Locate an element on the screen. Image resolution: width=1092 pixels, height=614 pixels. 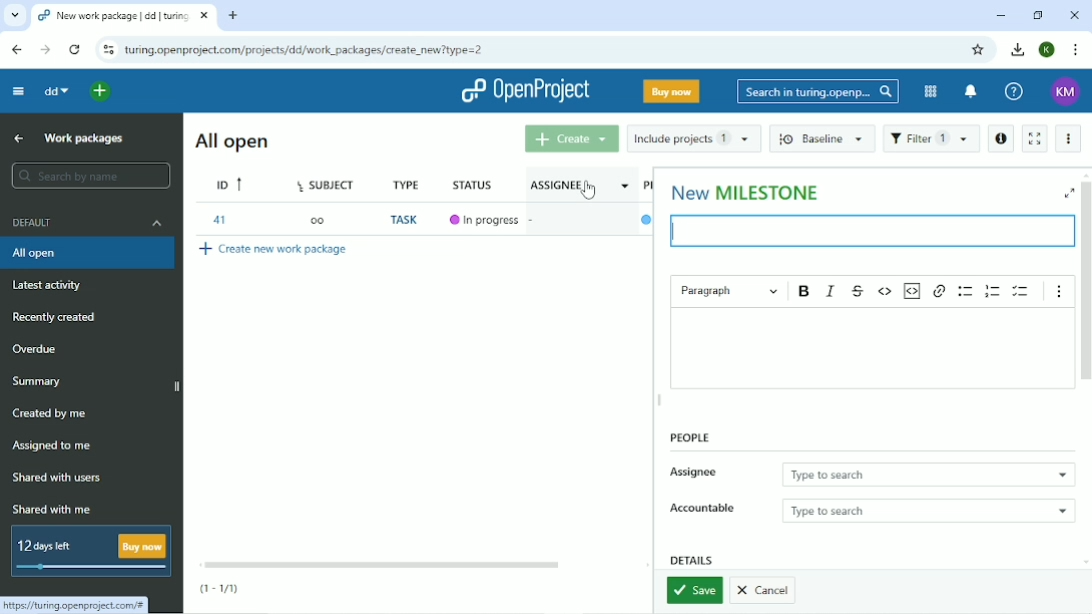
Search is located at coordinates (818, 93).